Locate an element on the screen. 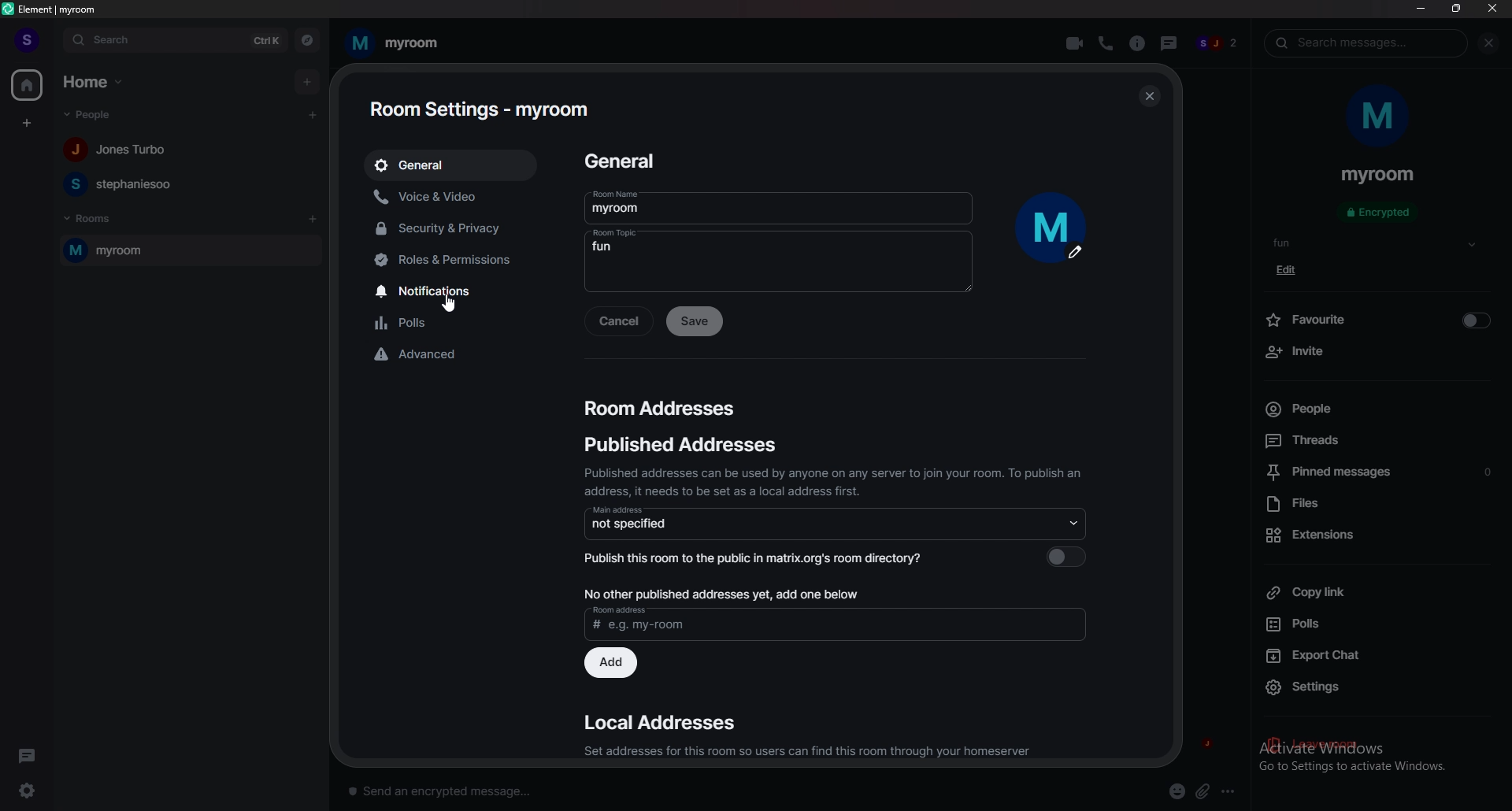  main address is located at coordinates (836, 523).